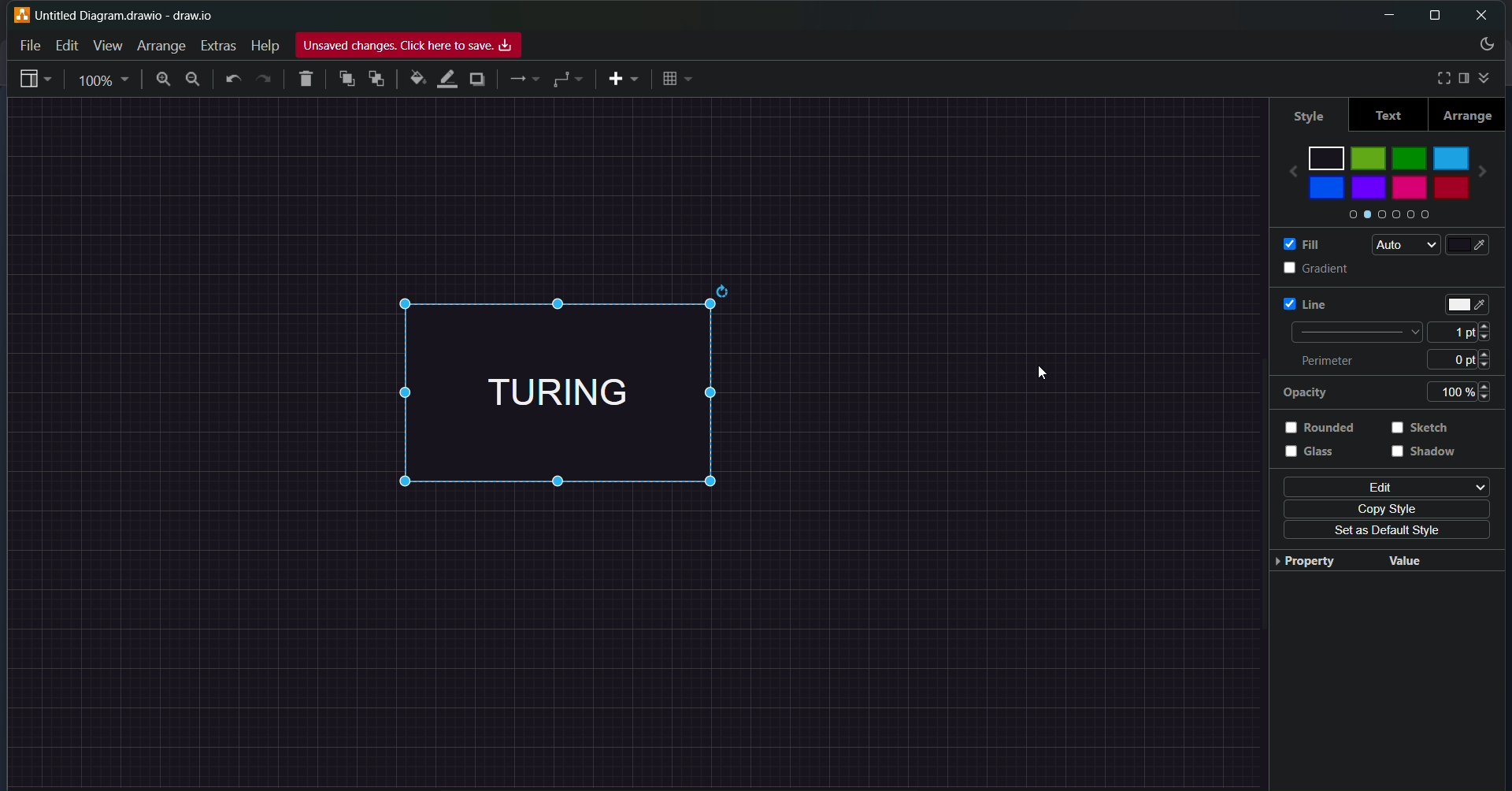  What do you see at coordinates (1305, 113) in the screenshot?
I see `style` at bounding box center [1305, 113].